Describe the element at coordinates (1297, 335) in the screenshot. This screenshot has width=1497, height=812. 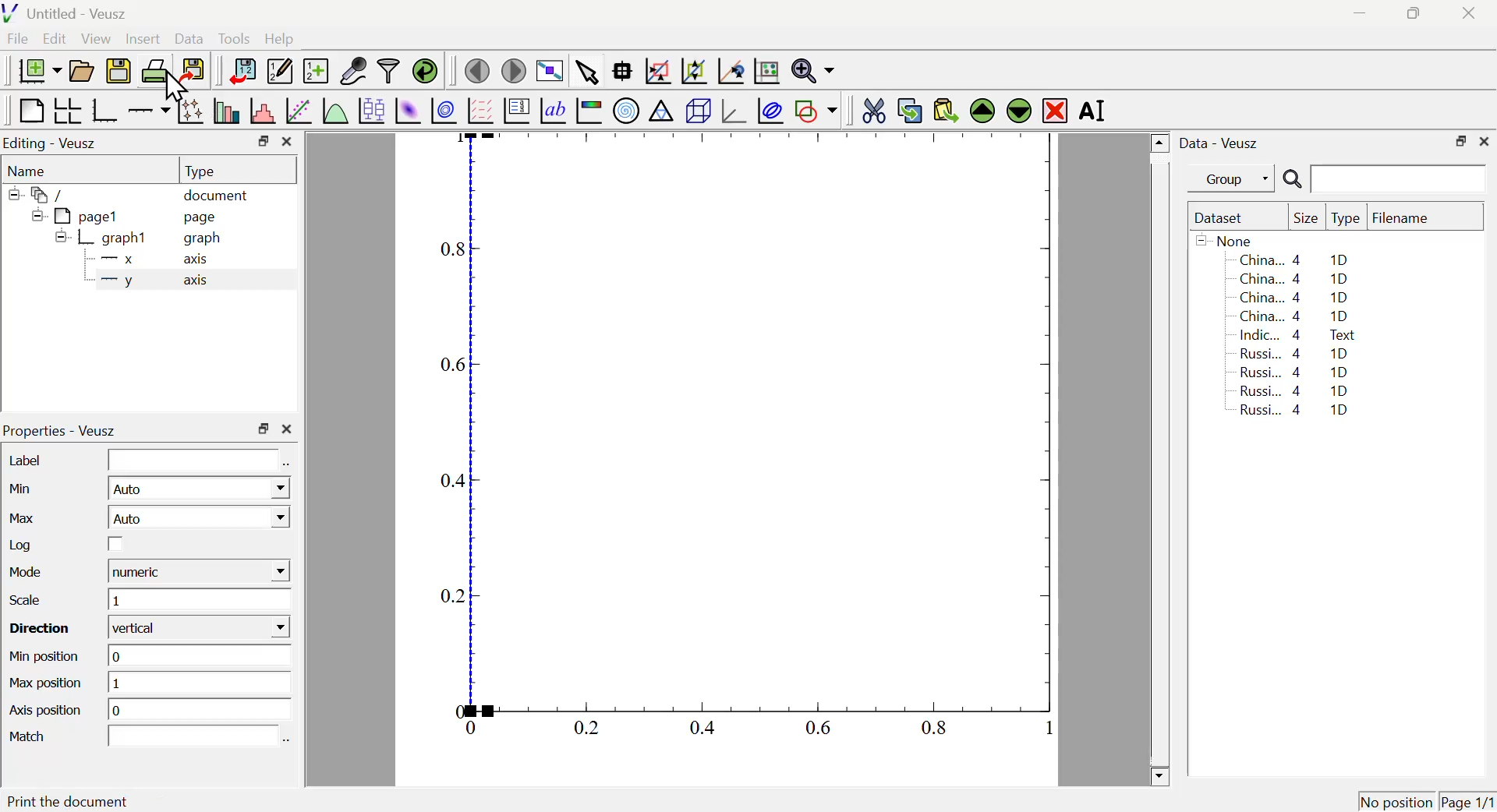
I see `Indic... 4 Text` at that location.